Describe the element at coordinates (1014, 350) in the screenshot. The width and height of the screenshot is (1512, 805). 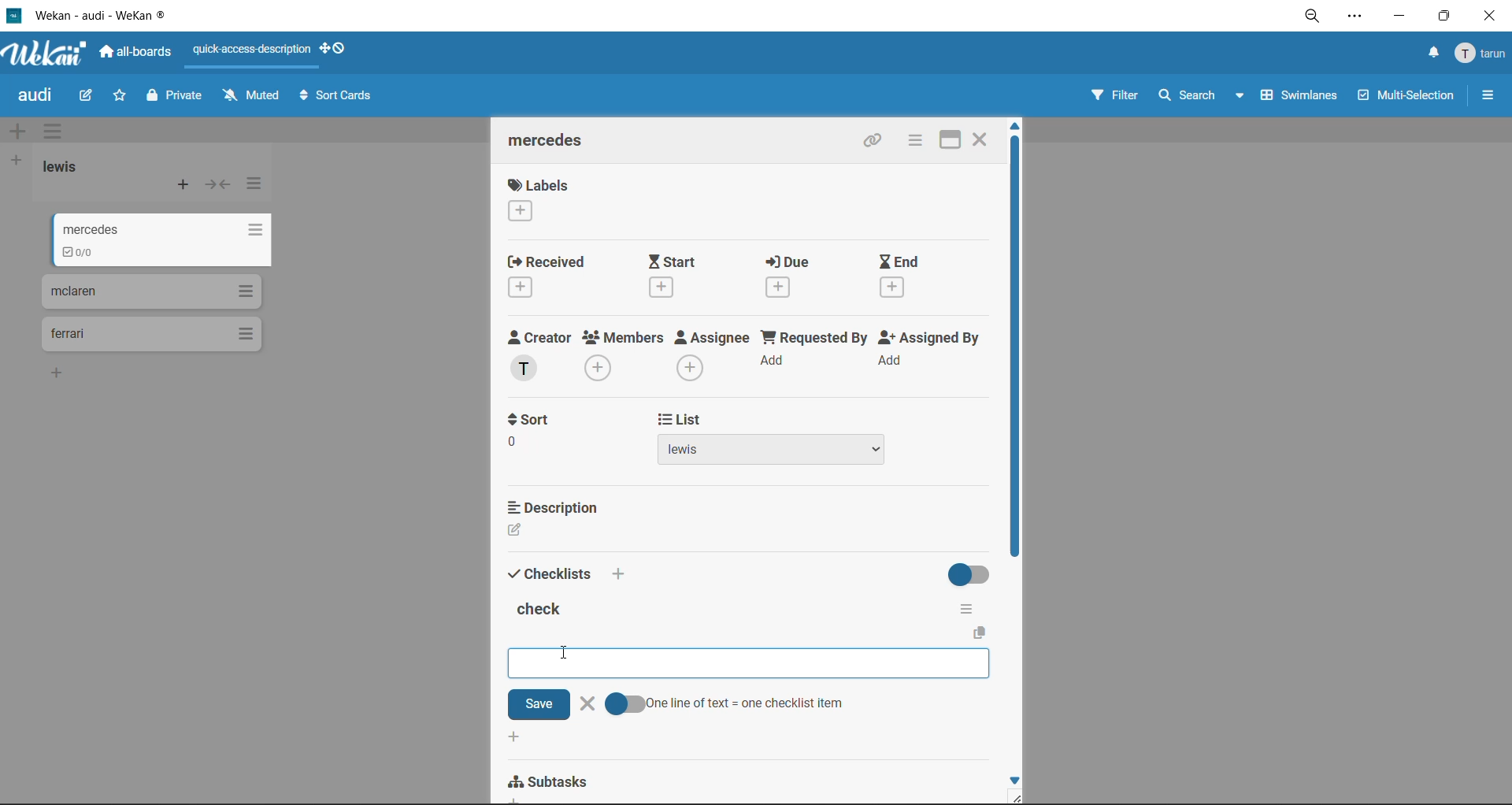
I see `vertical scroll bar` at that location.